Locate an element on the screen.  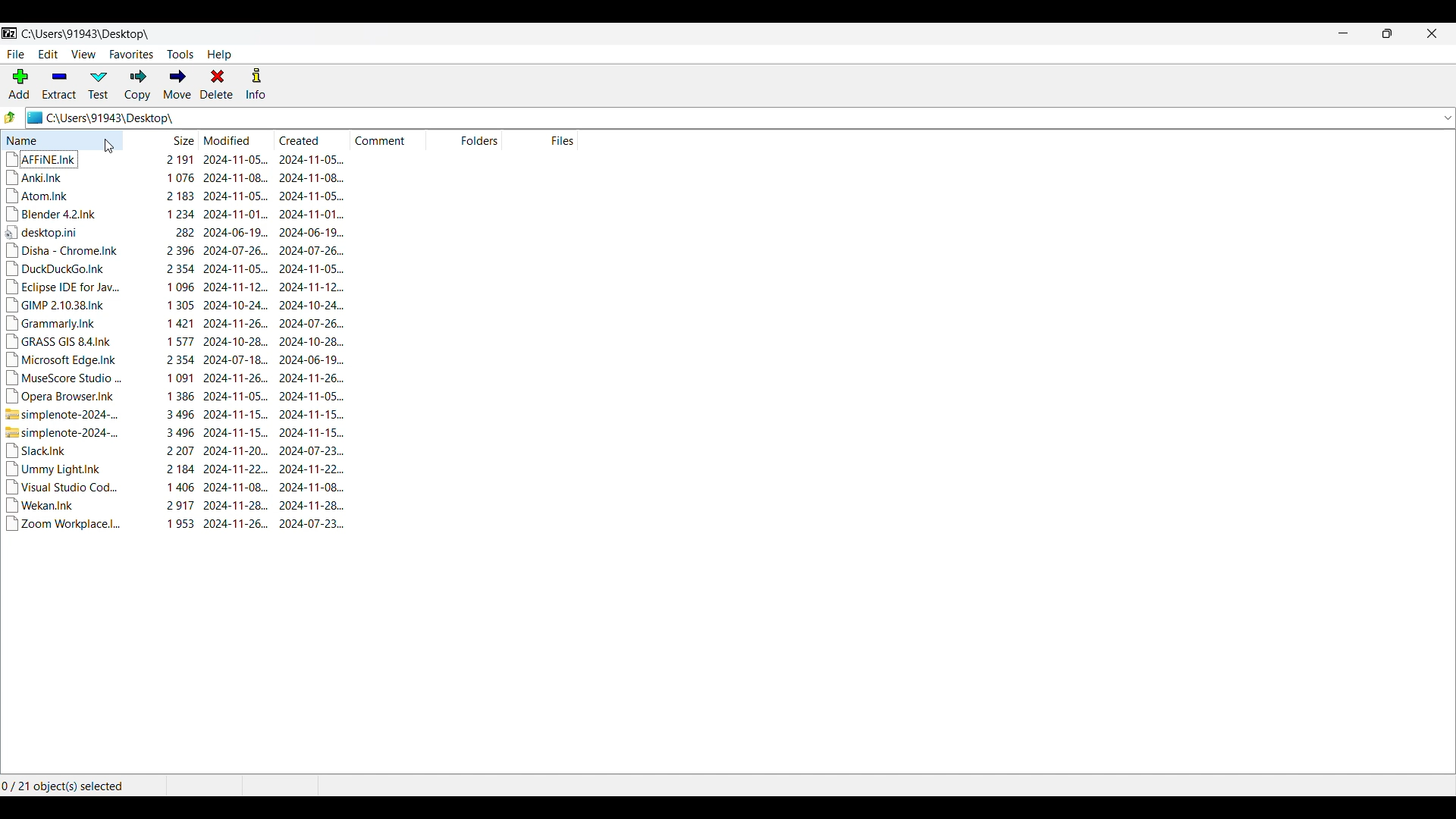
MuseScore Studio ... 1091 2024-11-26... 2024-11-26... is located at coordinates (177, 378).